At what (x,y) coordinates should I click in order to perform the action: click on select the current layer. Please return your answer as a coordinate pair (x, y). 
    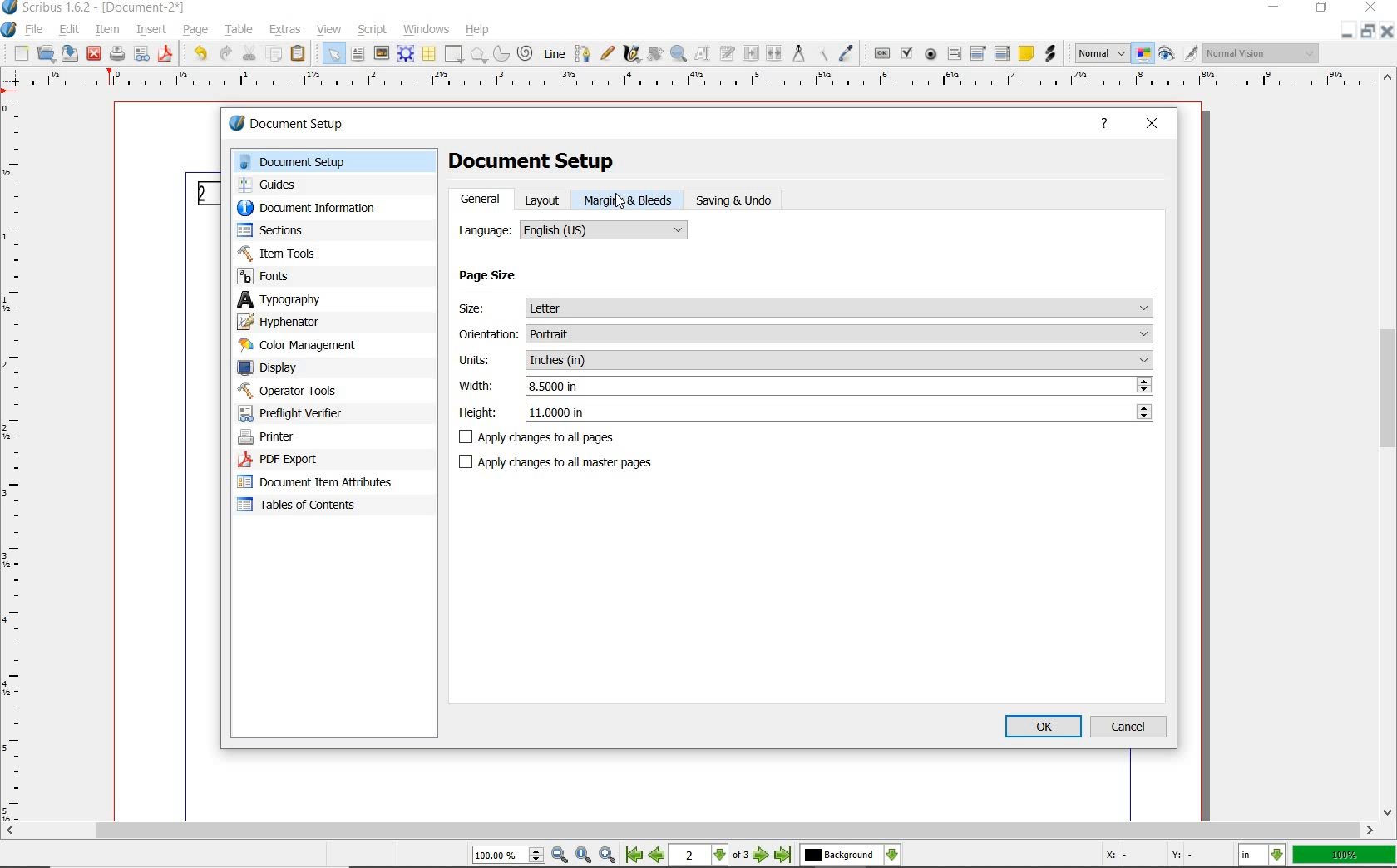
    Looking at the image, I should click on (850, 856).